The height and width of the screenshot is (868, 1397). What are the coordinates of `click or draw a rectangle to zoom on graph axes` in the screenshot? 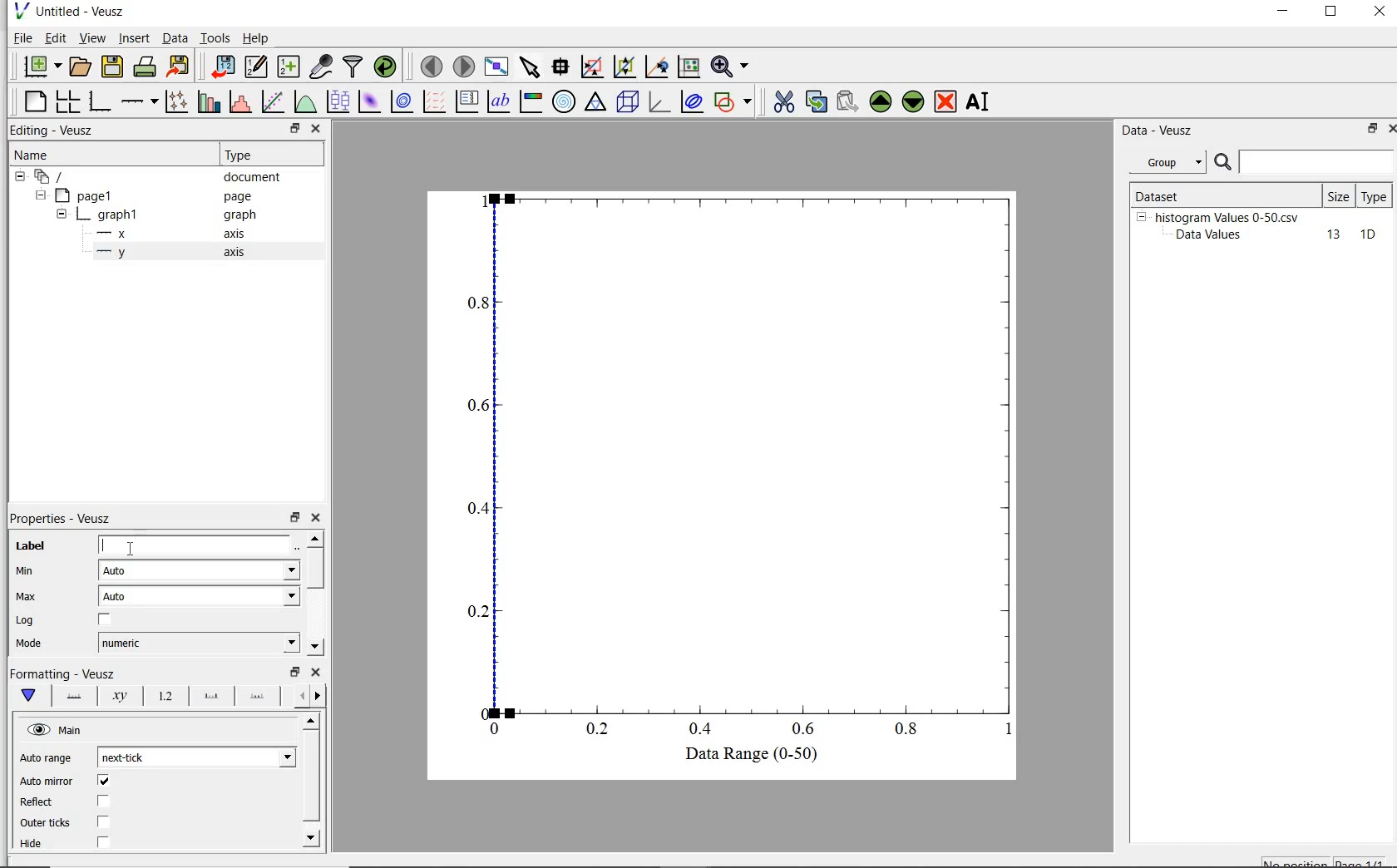 It's located at (624, 67).